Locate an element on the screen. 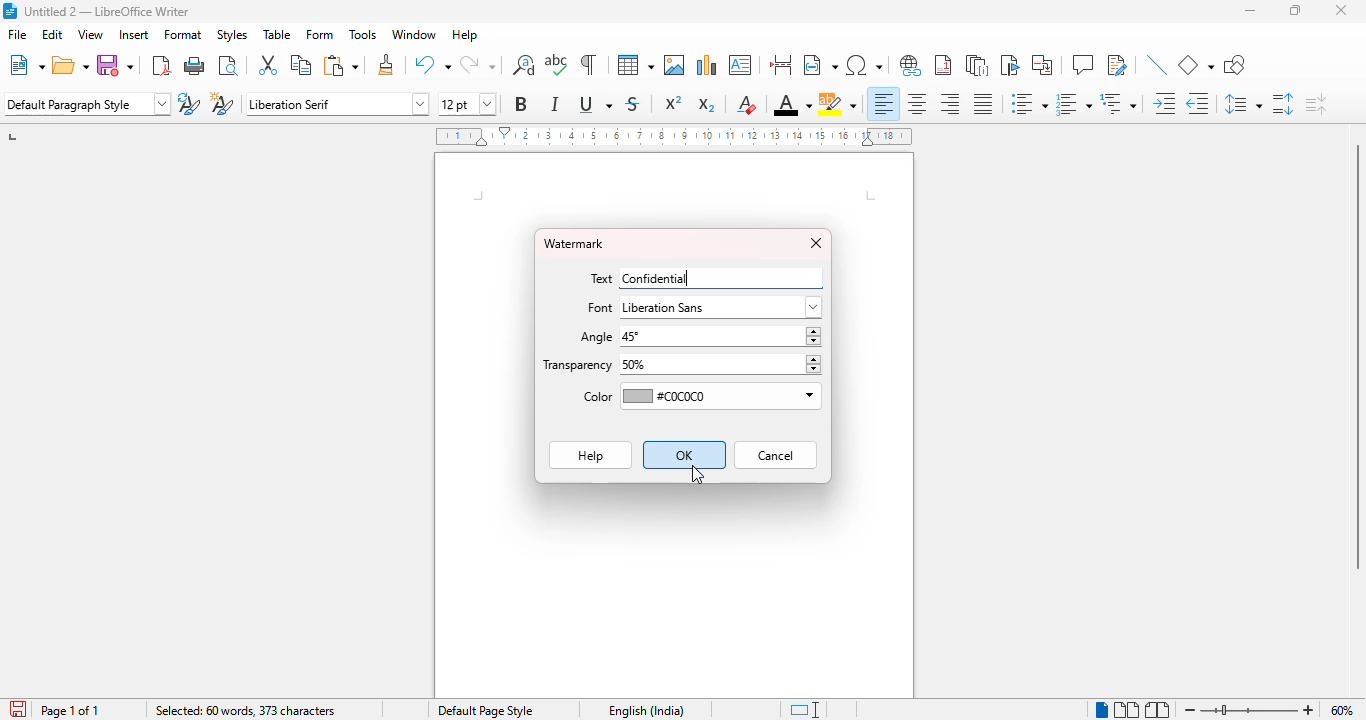 This screenshot has height=720, width=1366. zoom in is located at coordinates (1309, 709).